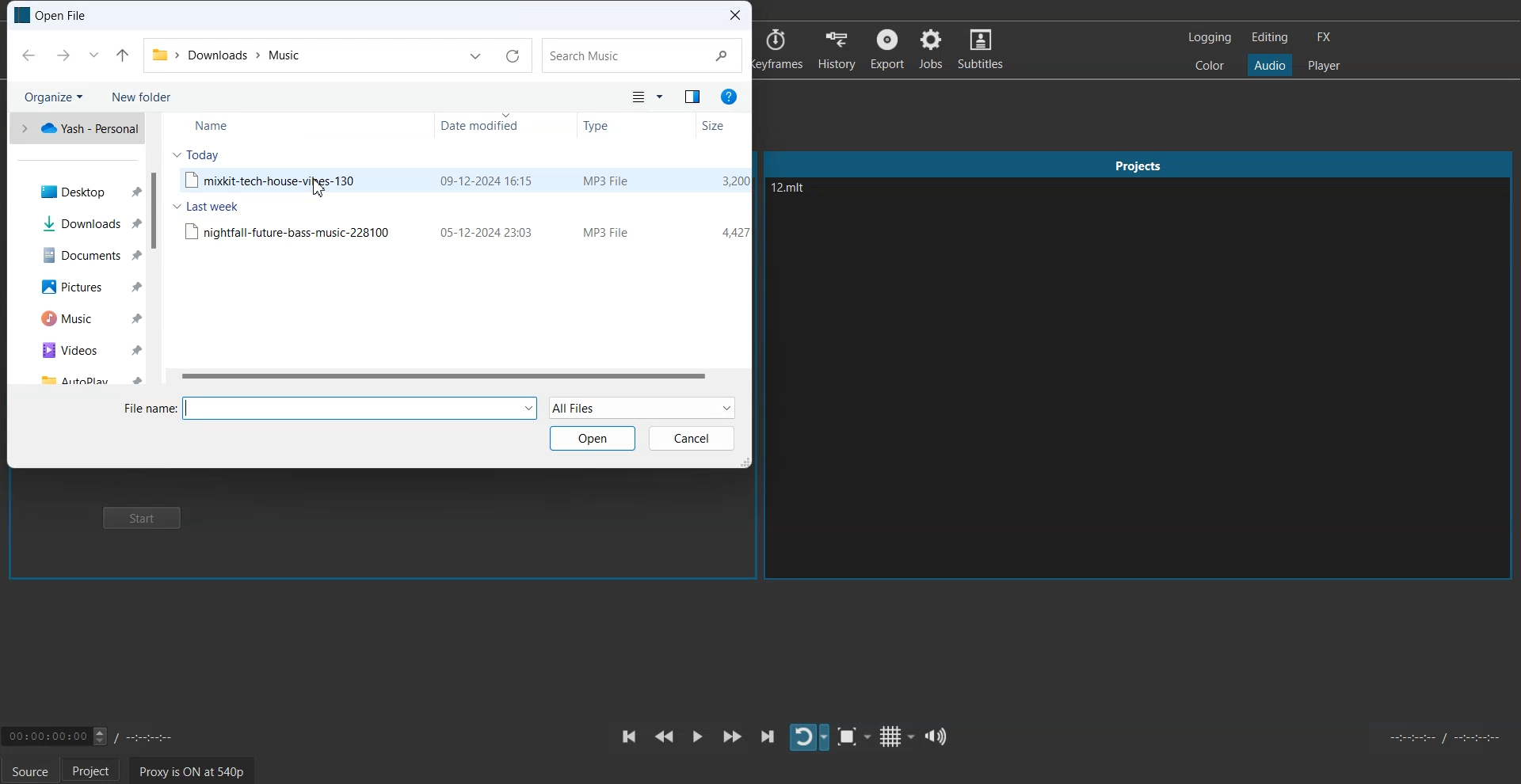 The height and width of the screenshot is (784, 1521). Describe the element at coordinates (318, 192) in the screenshot. I see `cursor` at that location.